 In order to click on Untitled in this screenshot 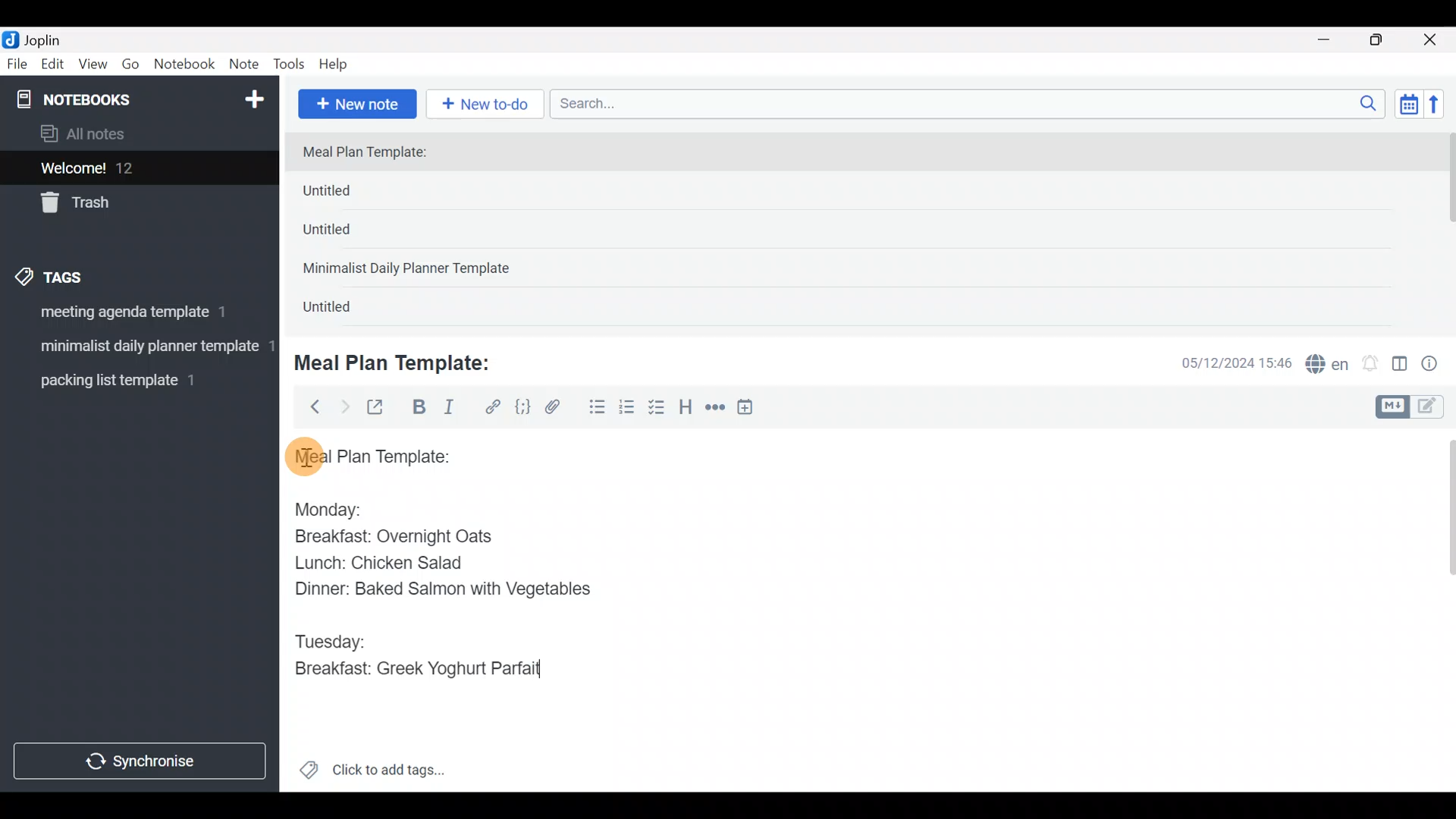, I will do `click(344, 310)`.